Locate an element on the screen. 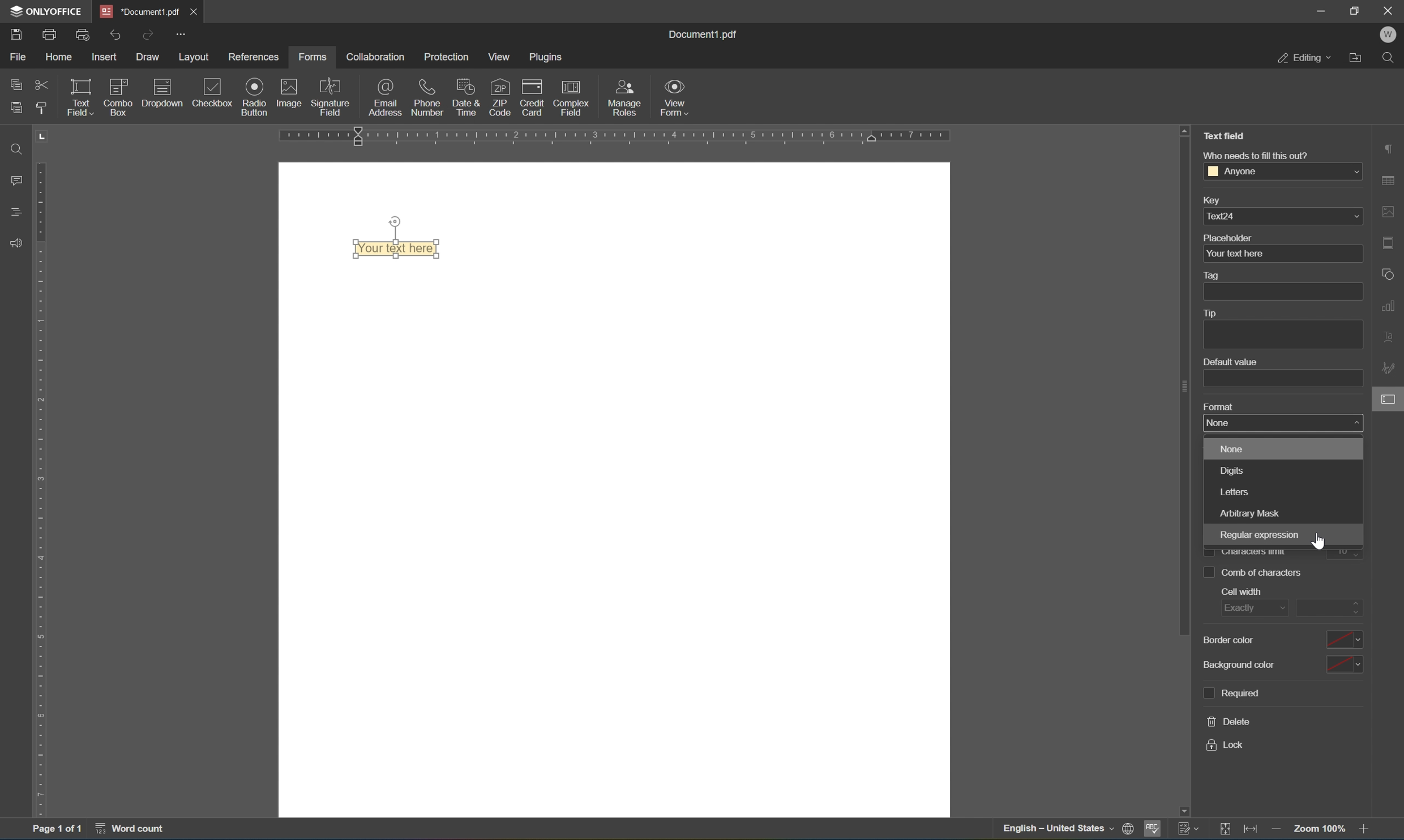 The width and height of the screenshot is (1404, 840). key is located at coordinates (1210, 202).